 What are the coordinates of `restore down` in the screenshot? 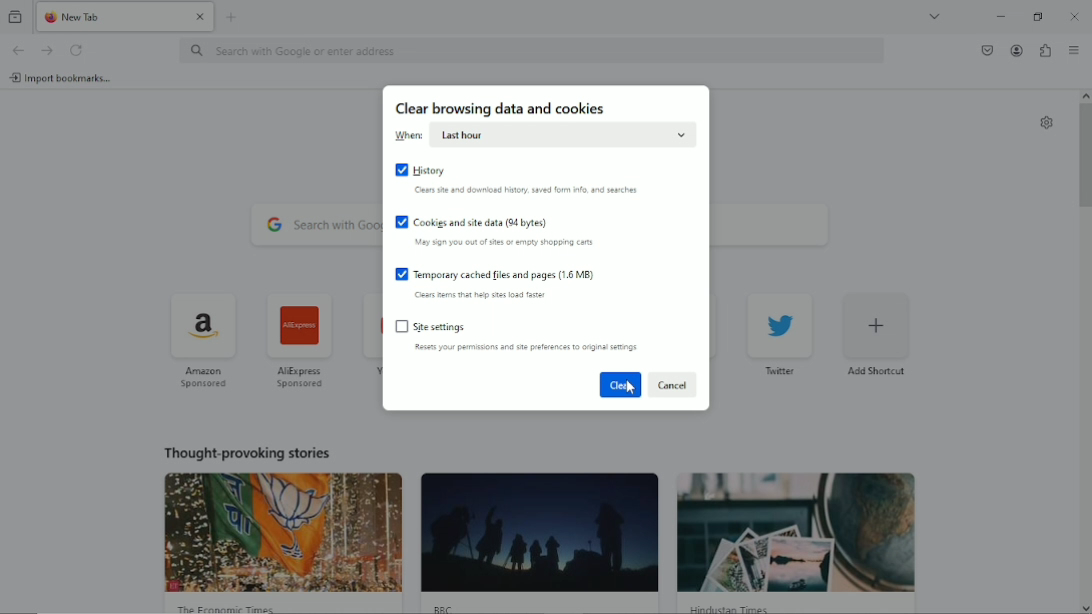 It's located at (1038, 16).